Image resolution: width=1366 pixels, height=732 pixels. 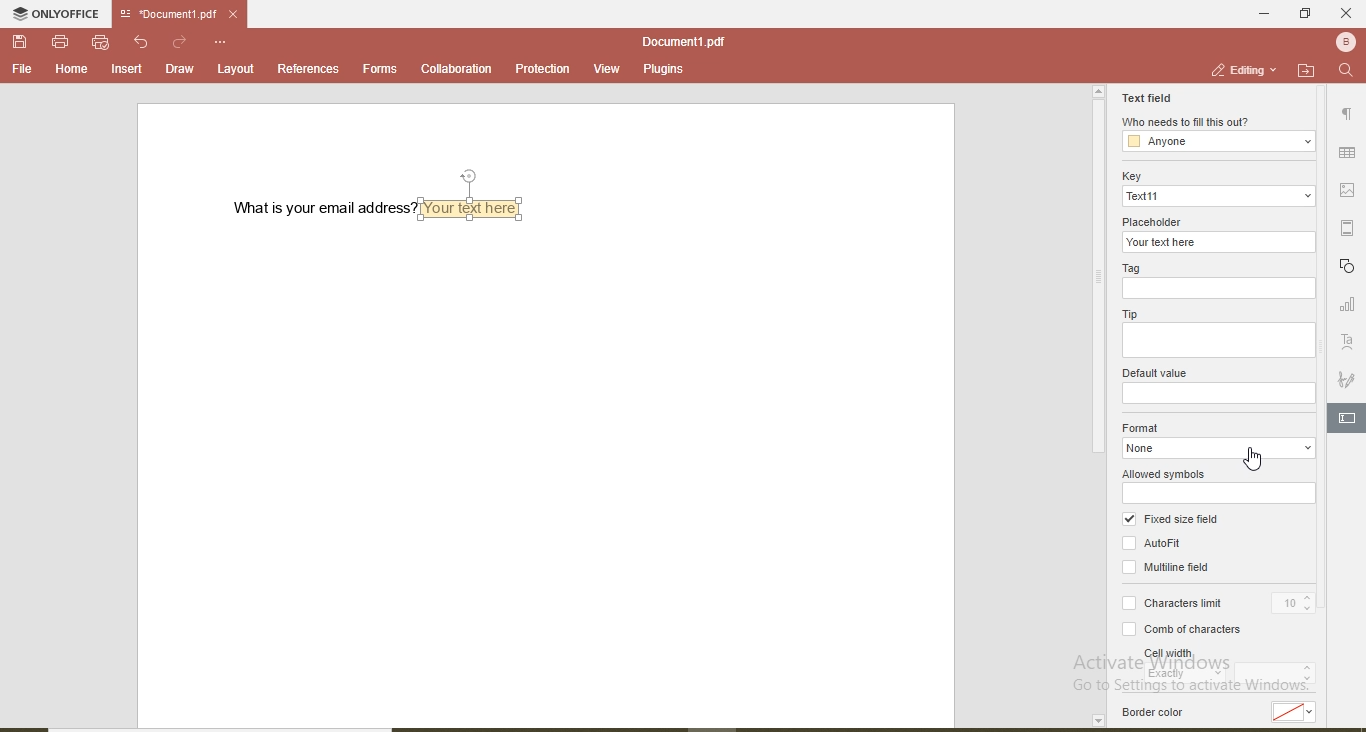 I want to click on layout, so click(x=237, y=68).